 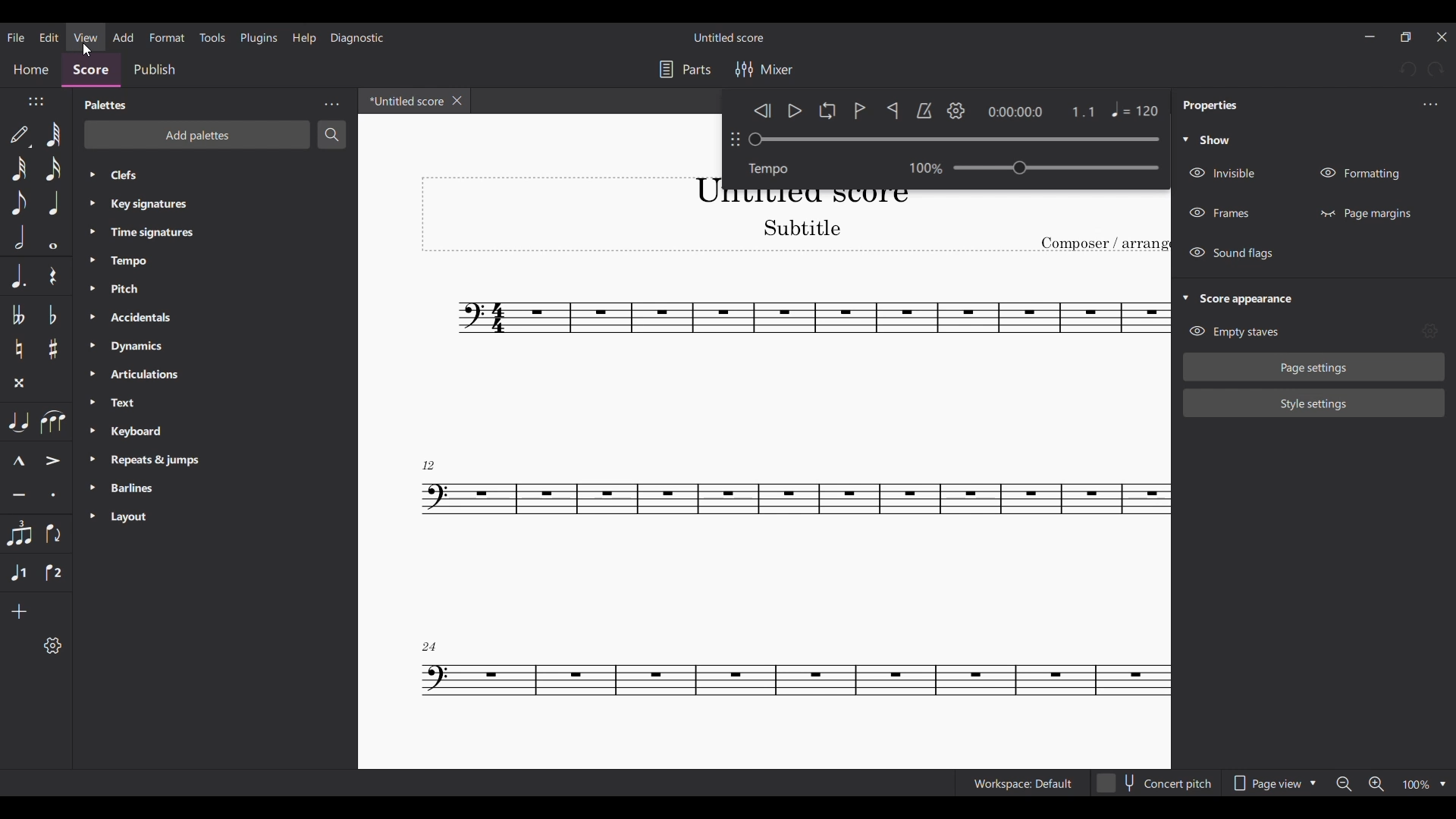 What do you see at coordinates (1155, 783) in the screenshot?
I see `Concert pitch` at bounding box center [1155, 783].